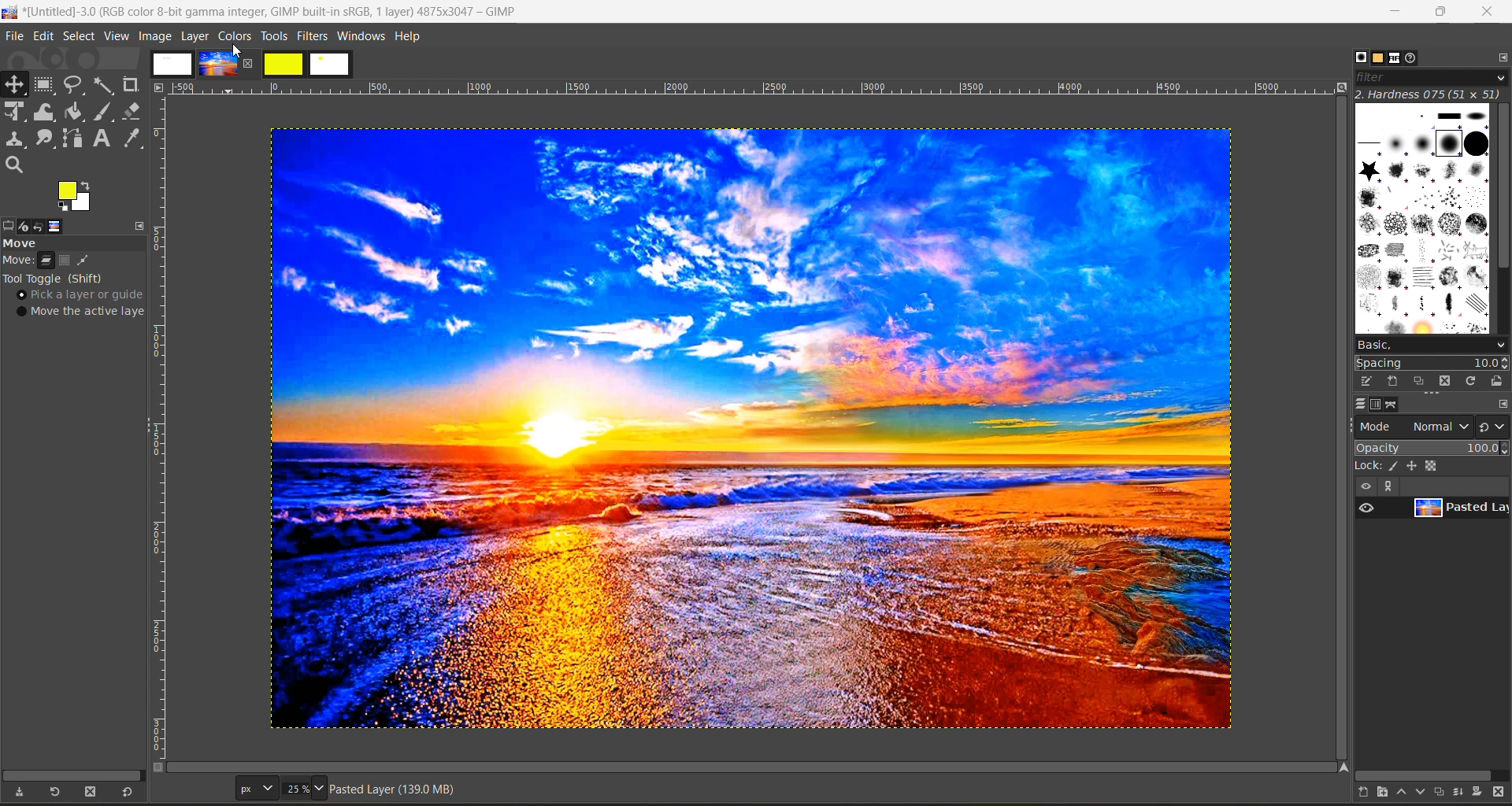 Image resolution: width=1512 pixels, height=806 pixels. Describe the element at coordinates (273, 38) in the screenshot. I see `tools` at that location.